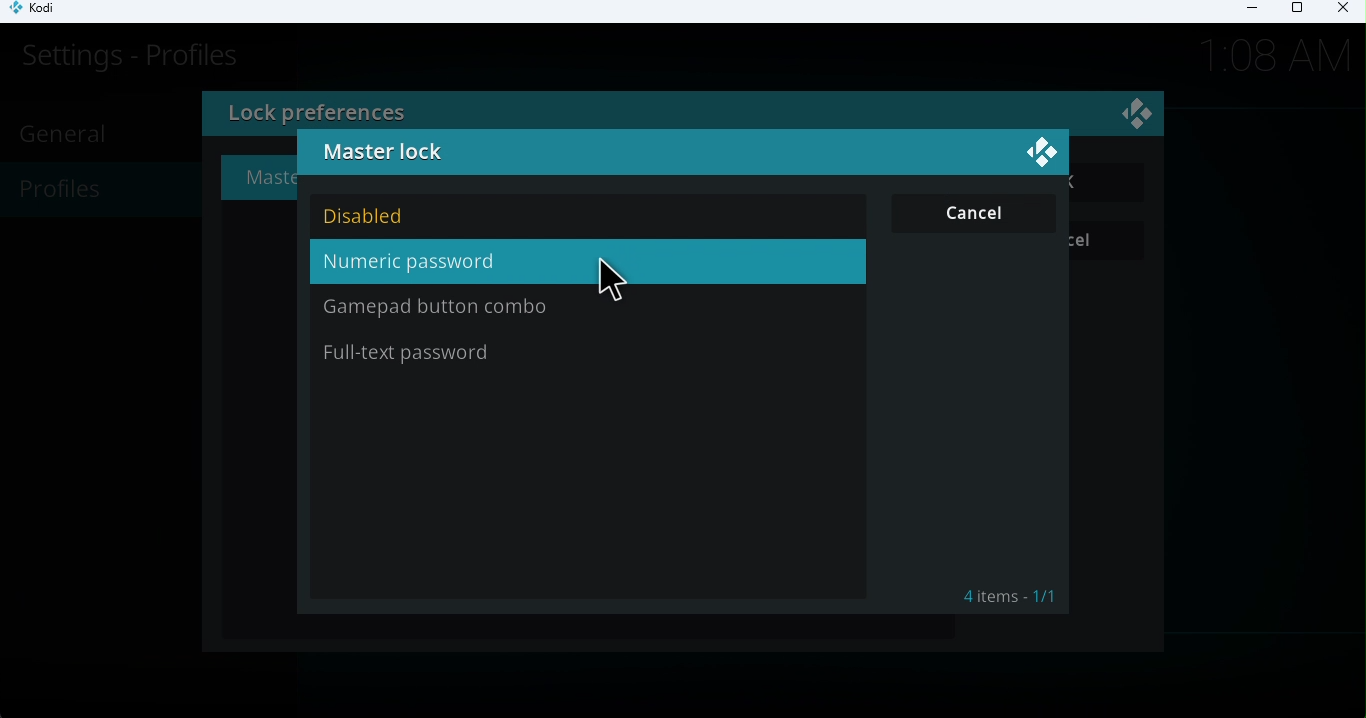 Image resolution: width=1366 pixels, height=718 pixels. Describe the element at coordinates (617, 277) in the screenshot. I see `cursor` at that location.